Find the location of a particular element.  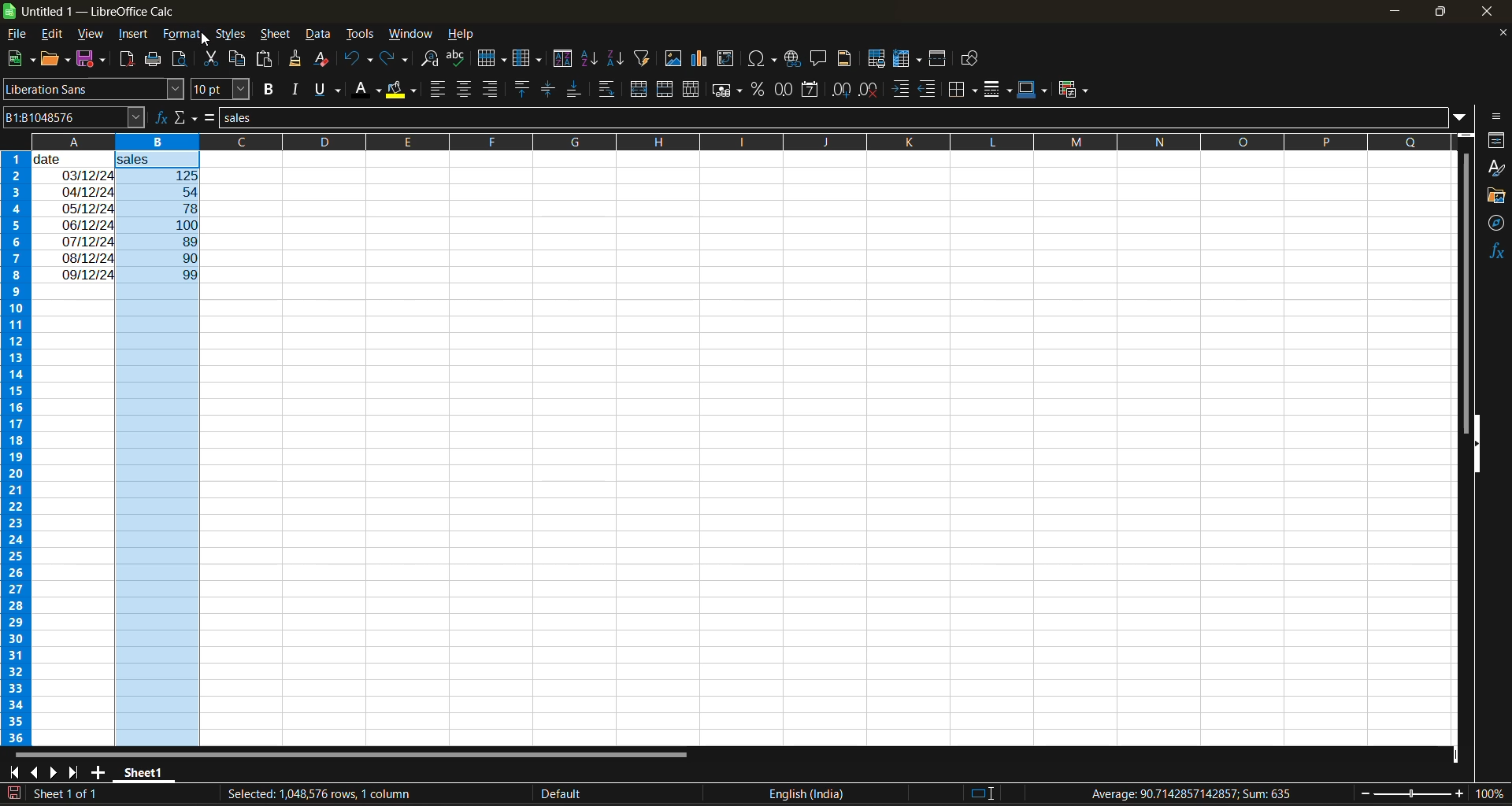

close is located at coordinates (1496, 13).